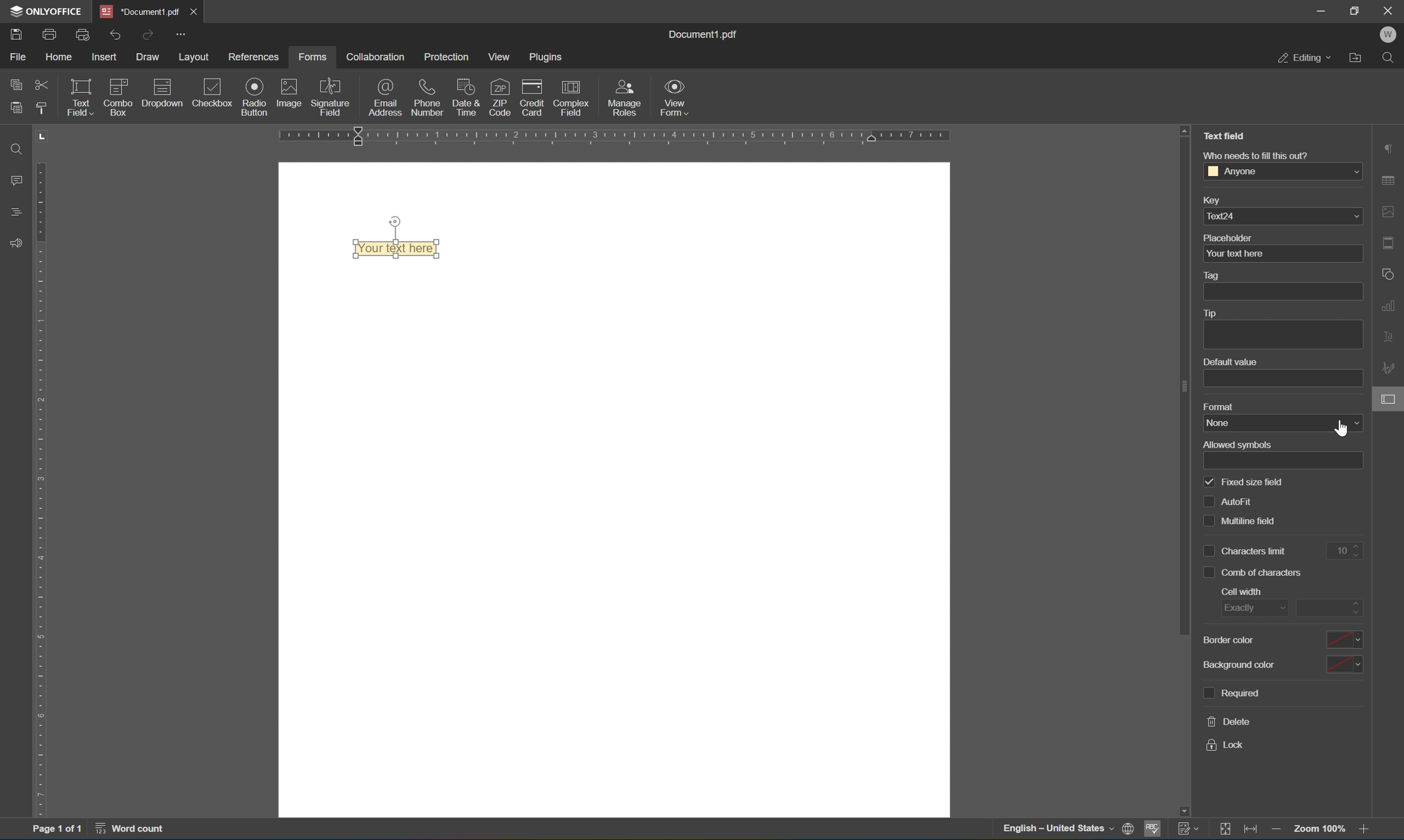  Describe the element at coordinates (1219, 408) in the screenshot. I see `format` at that location.